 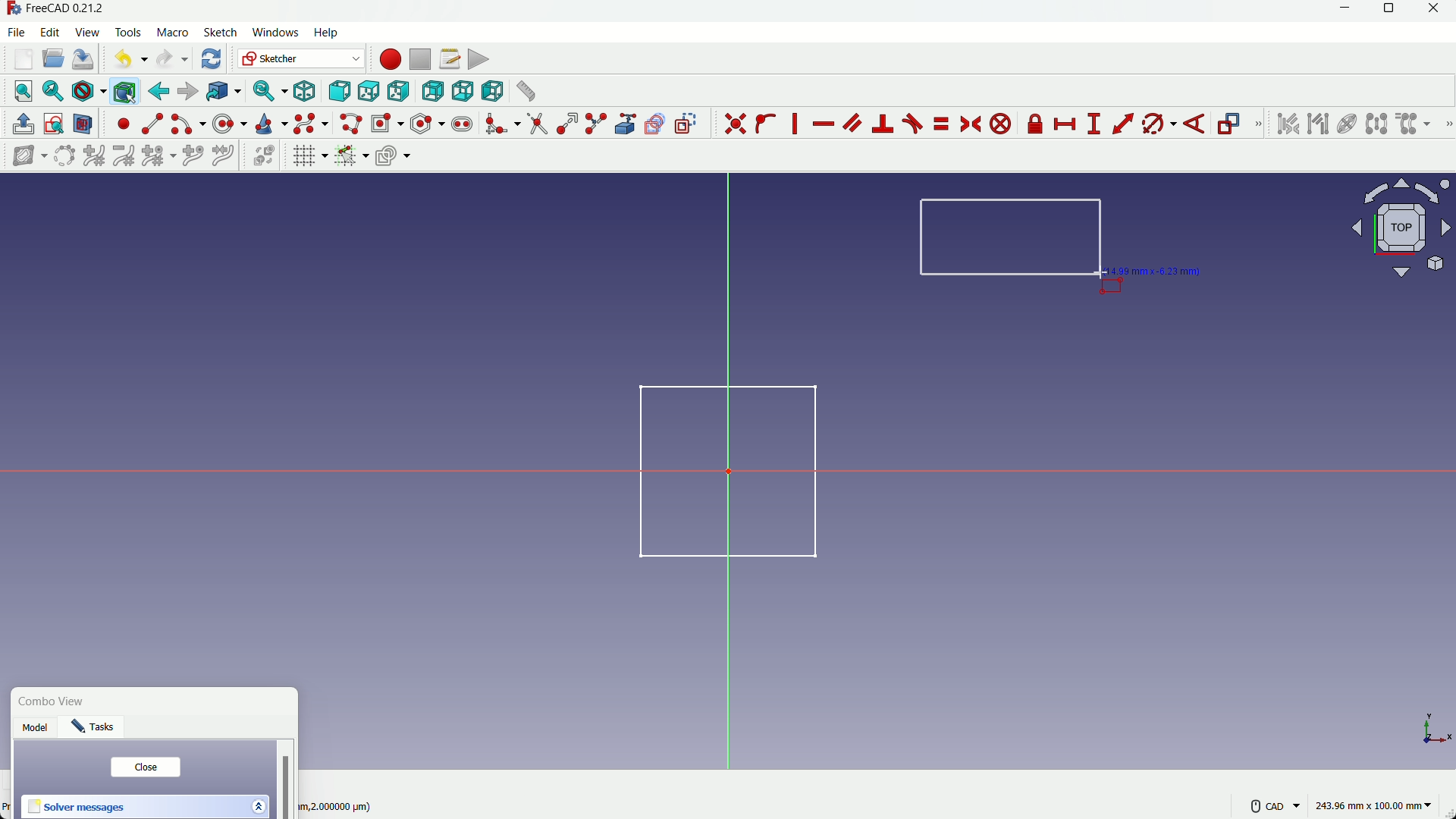 I want to click on macro menu, so click(x=170, y=33).